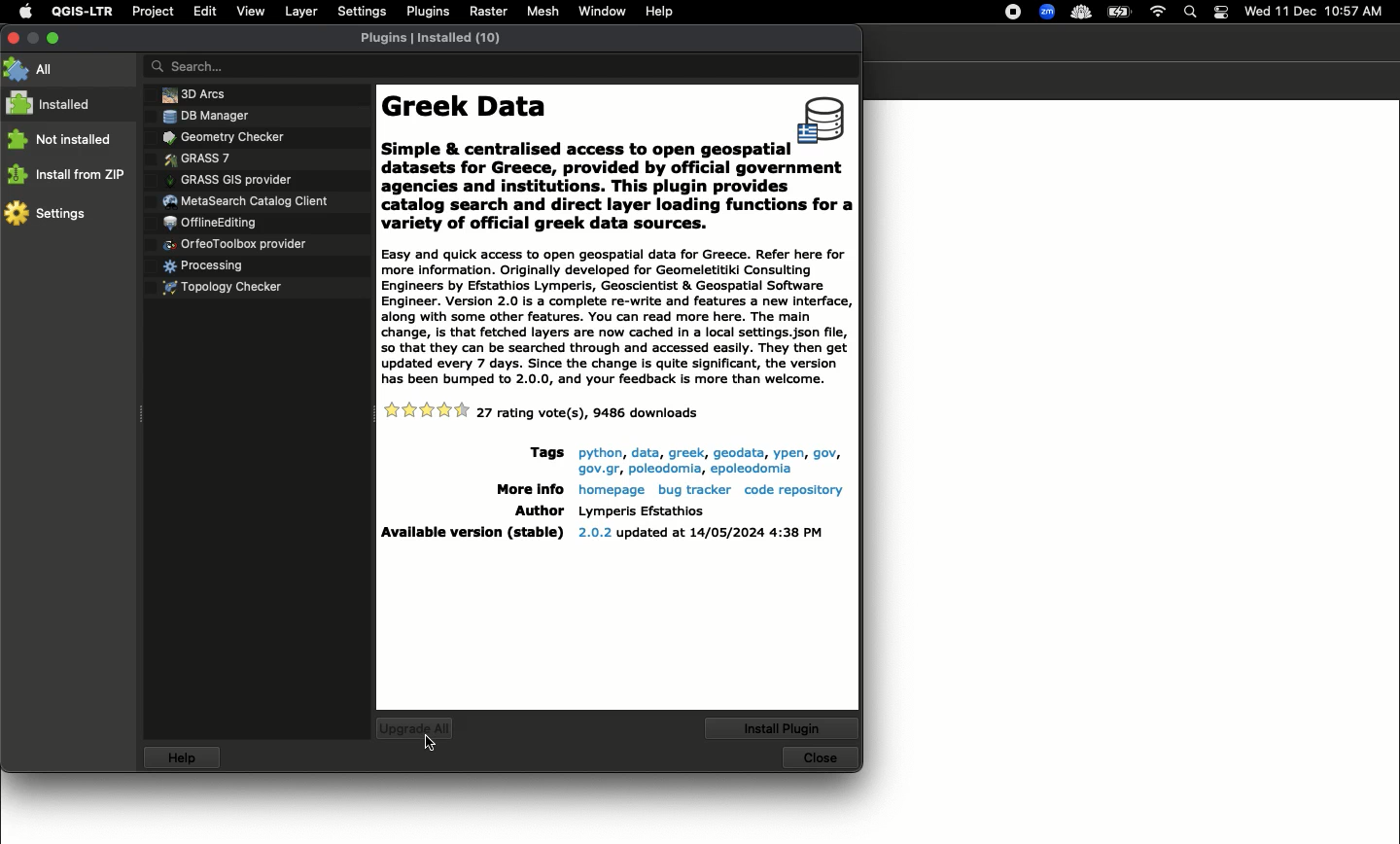 The image size is (1400, 844). Describe the element at coordinates (196, 159) in the screenshot. I see `GRASS 7` at that location.